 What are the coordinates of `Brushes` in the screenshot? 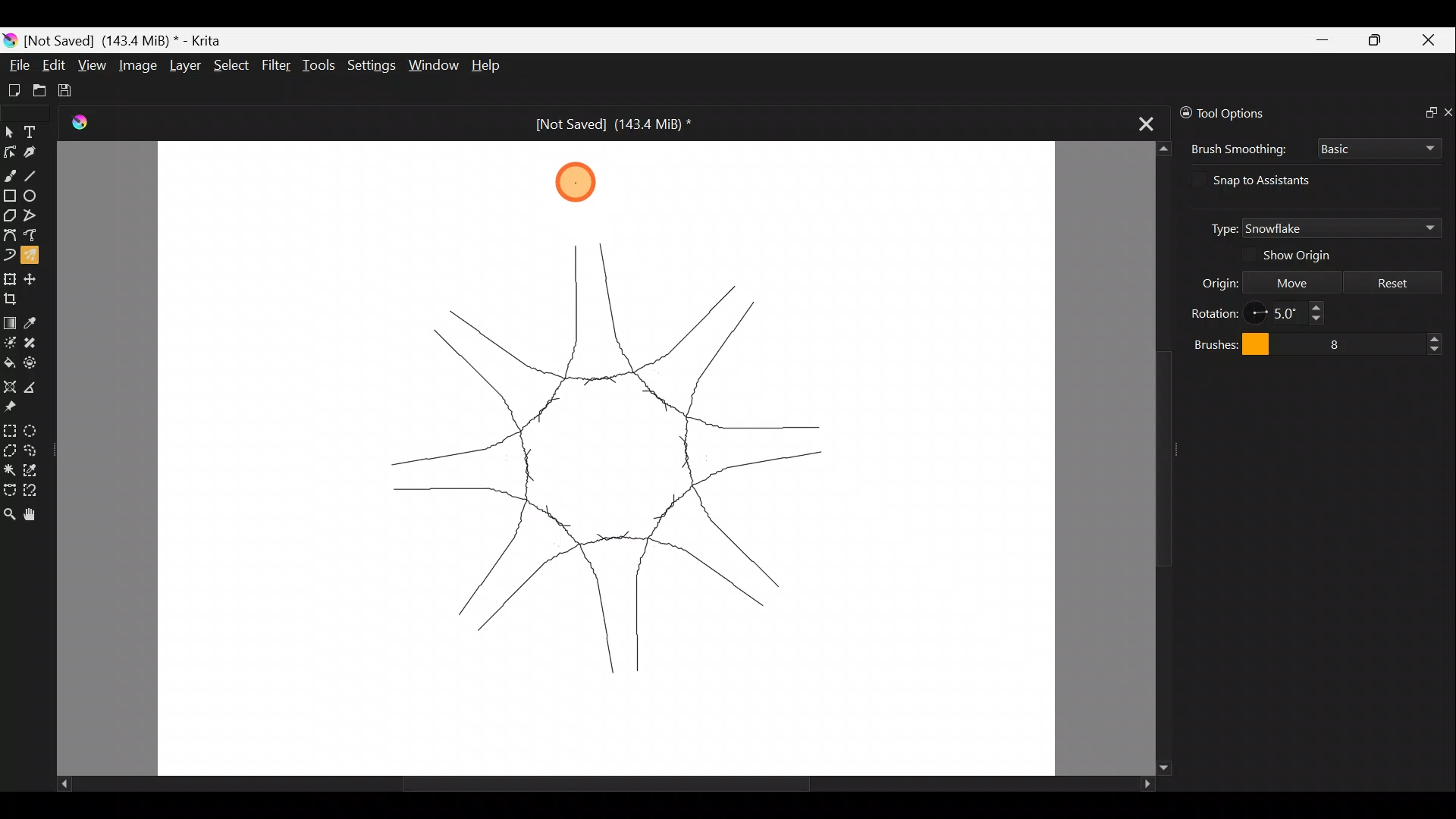 It's located at (1227, 343).